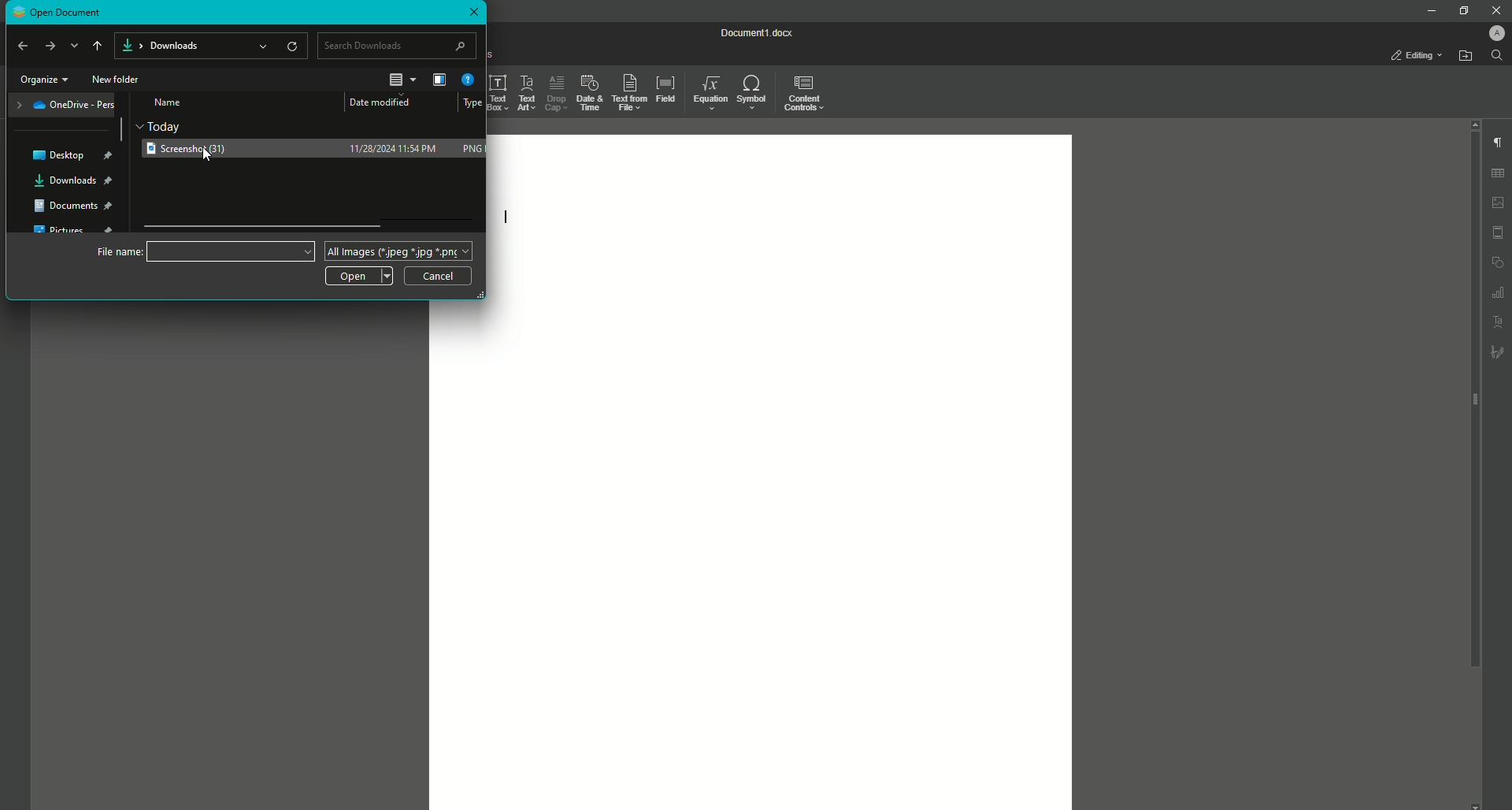 This screenshot has width=1512, height=810. Describe the element at coordinates (589, 92) in the screenshot. I see `Date and Time` at that location.